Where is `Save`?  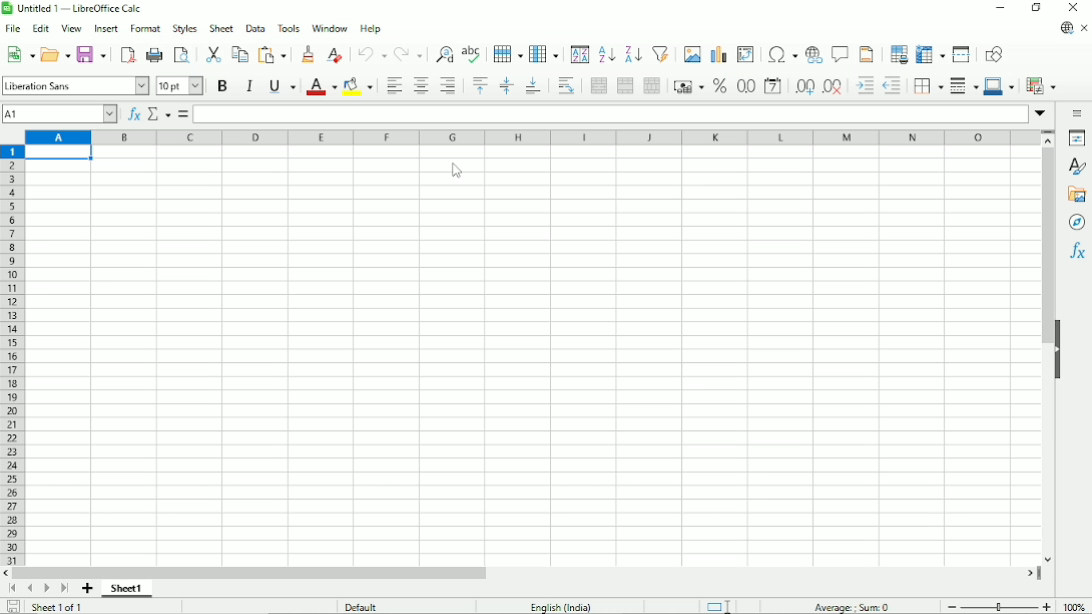 Save is located at coordinates (91, 55).